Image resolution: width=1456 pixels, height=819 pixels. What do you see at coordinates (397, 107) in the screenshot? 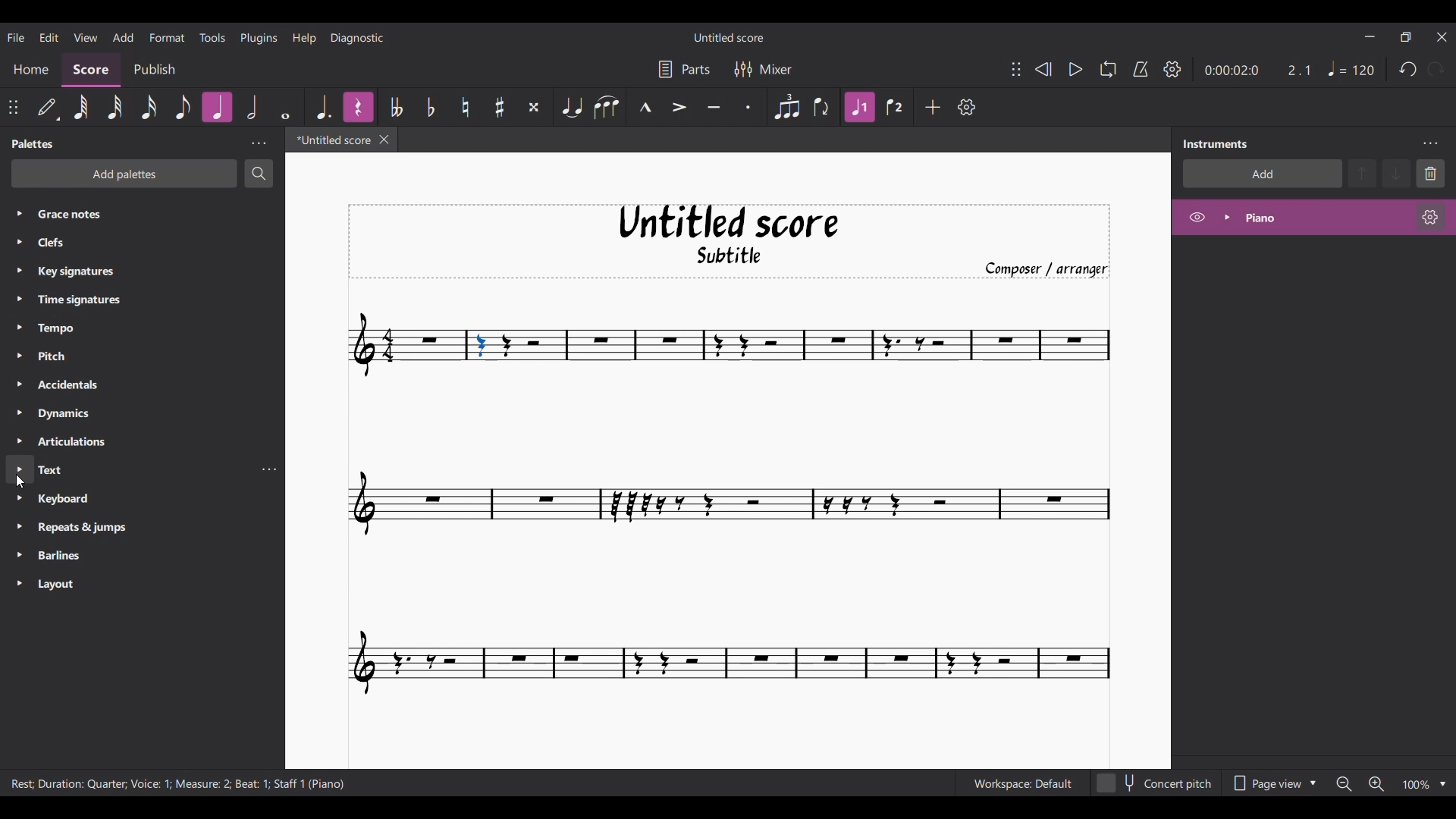
I see `Toggle double flat` at bounding box center [397, 107].